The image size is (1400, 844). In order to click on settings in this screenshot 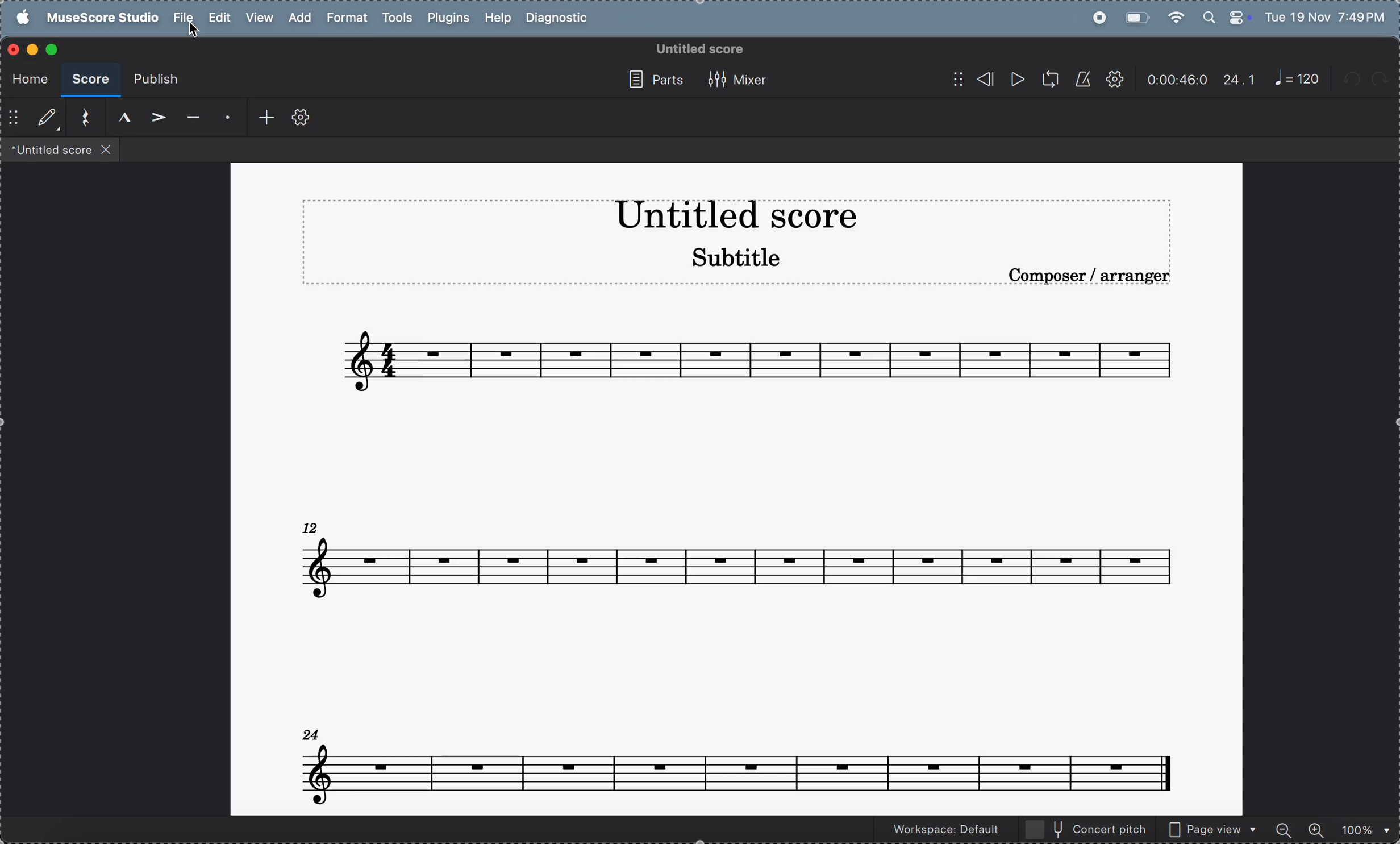, I will do `click(1114, 80)`.